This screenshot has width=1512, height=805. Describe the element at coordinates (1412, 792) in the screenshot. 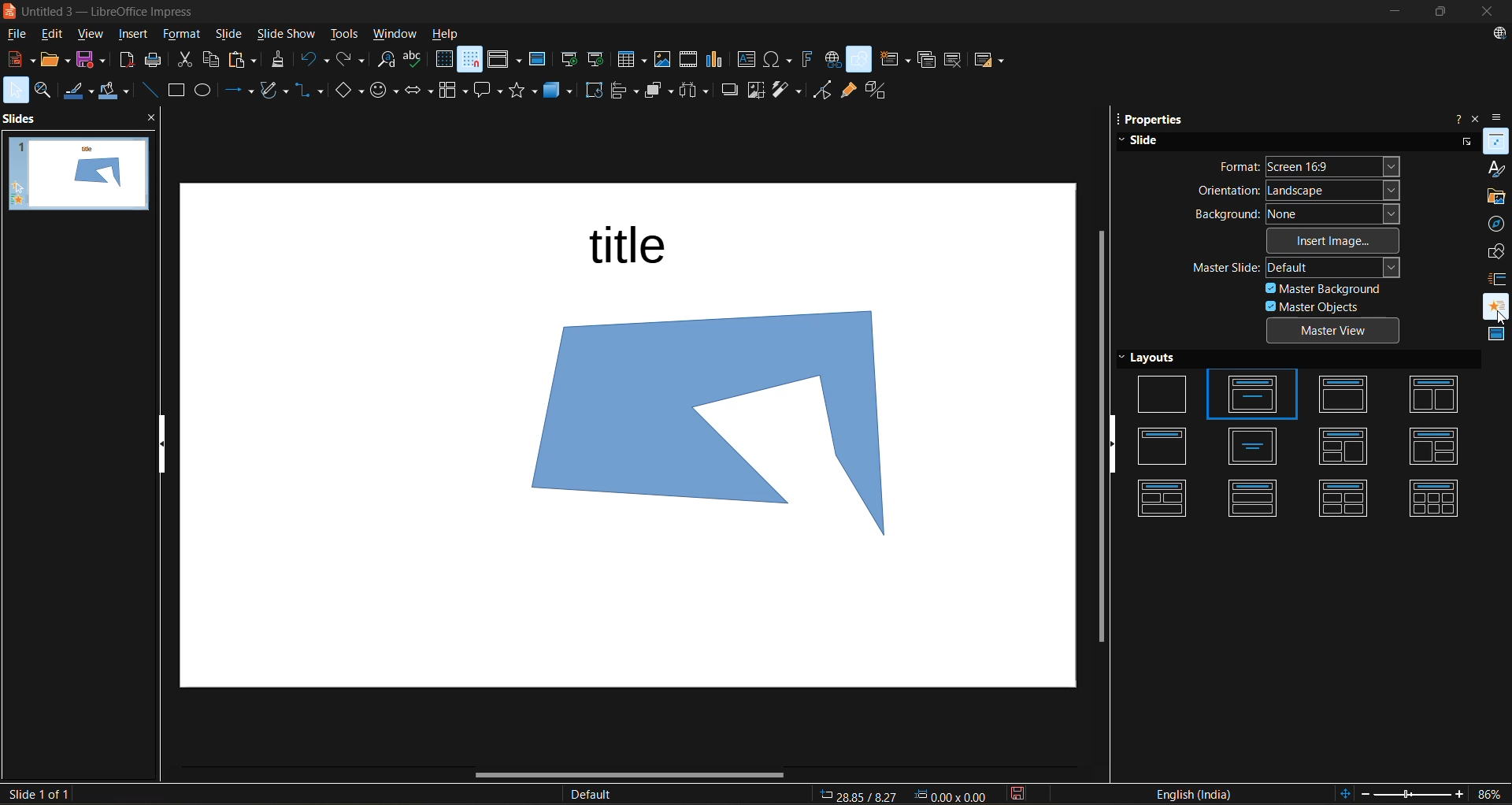

I see `zoom slider` at that location.